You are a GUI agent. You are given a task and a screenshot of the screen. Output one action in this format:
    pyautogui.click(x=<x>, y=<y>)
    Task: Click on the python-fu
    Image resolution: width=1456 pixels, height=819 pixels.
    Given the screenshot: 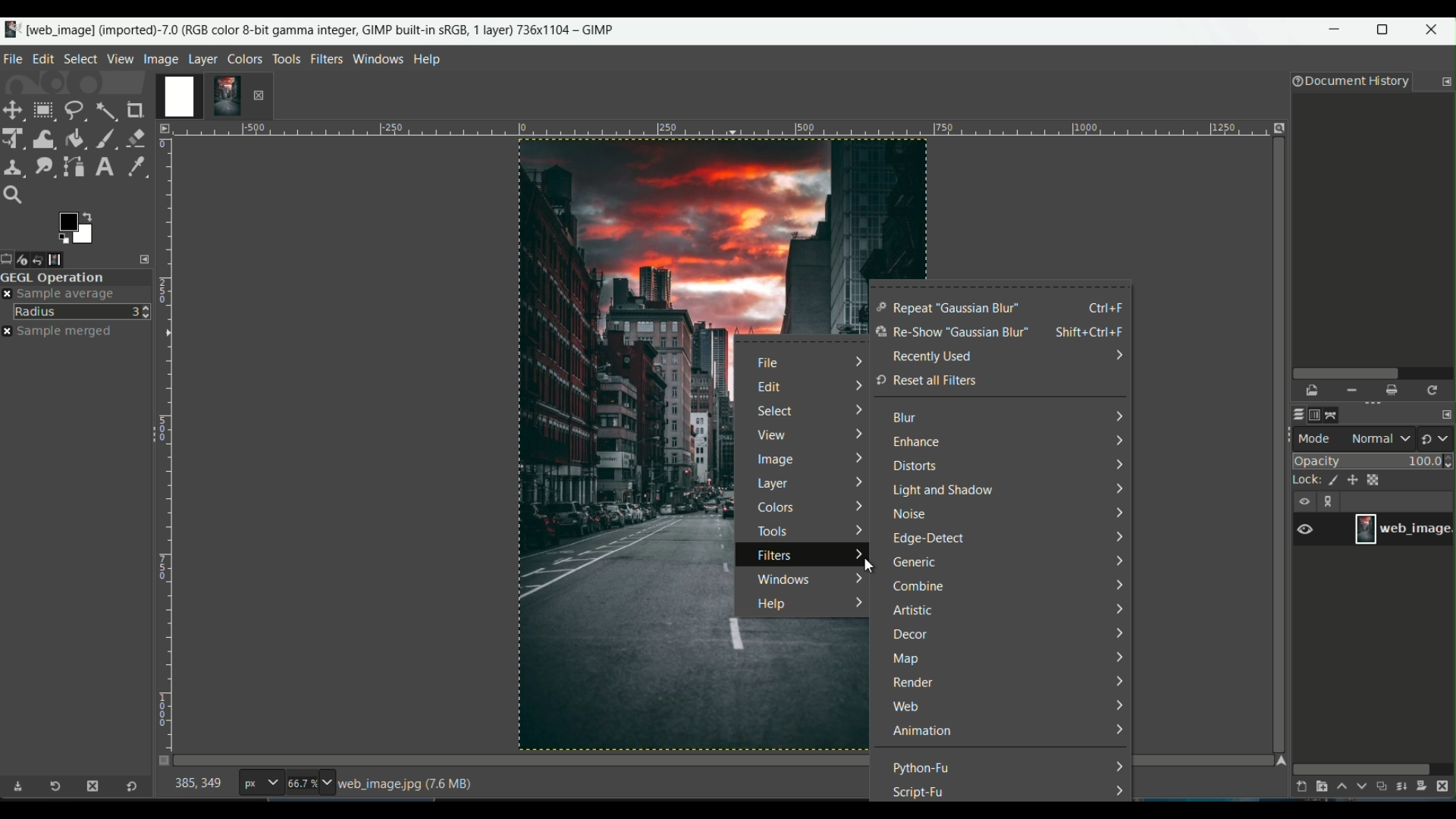 What is the action you would take?
    pyautogui.click(x=923, y=767)
    